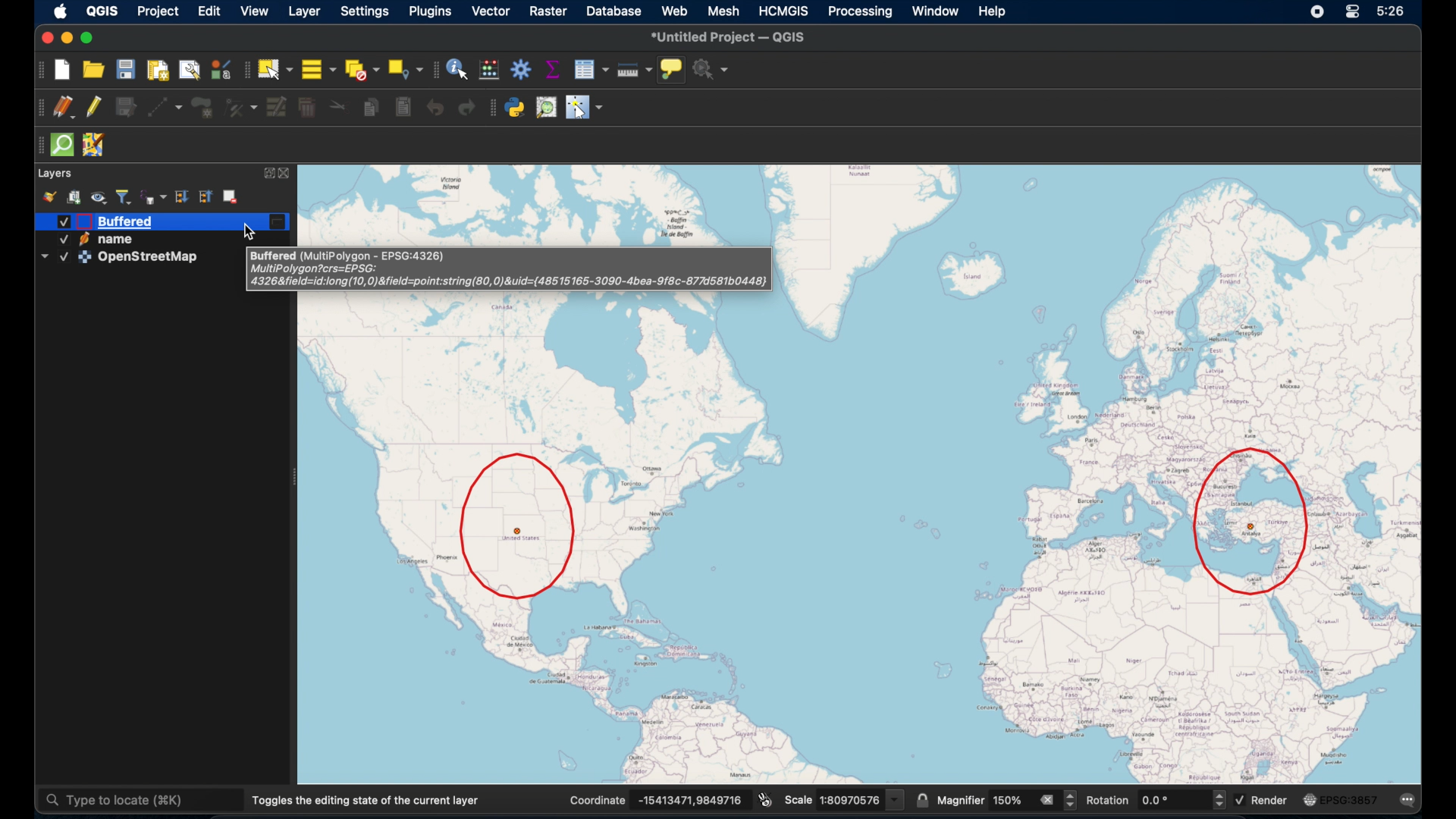  I want to click on cut features, so click(338, 107).